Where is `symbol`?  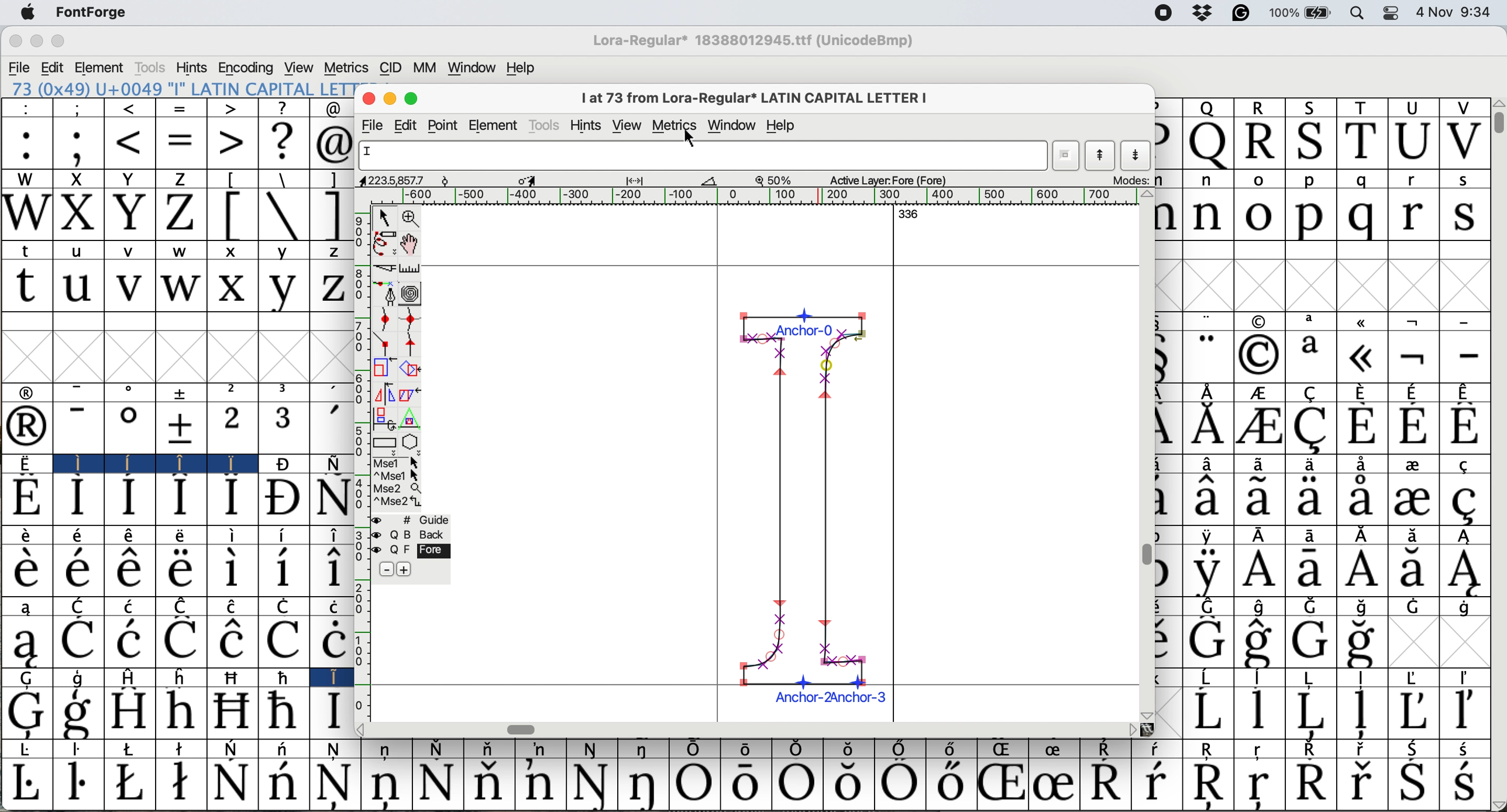 symbol is located at coordinates (1259, 321).